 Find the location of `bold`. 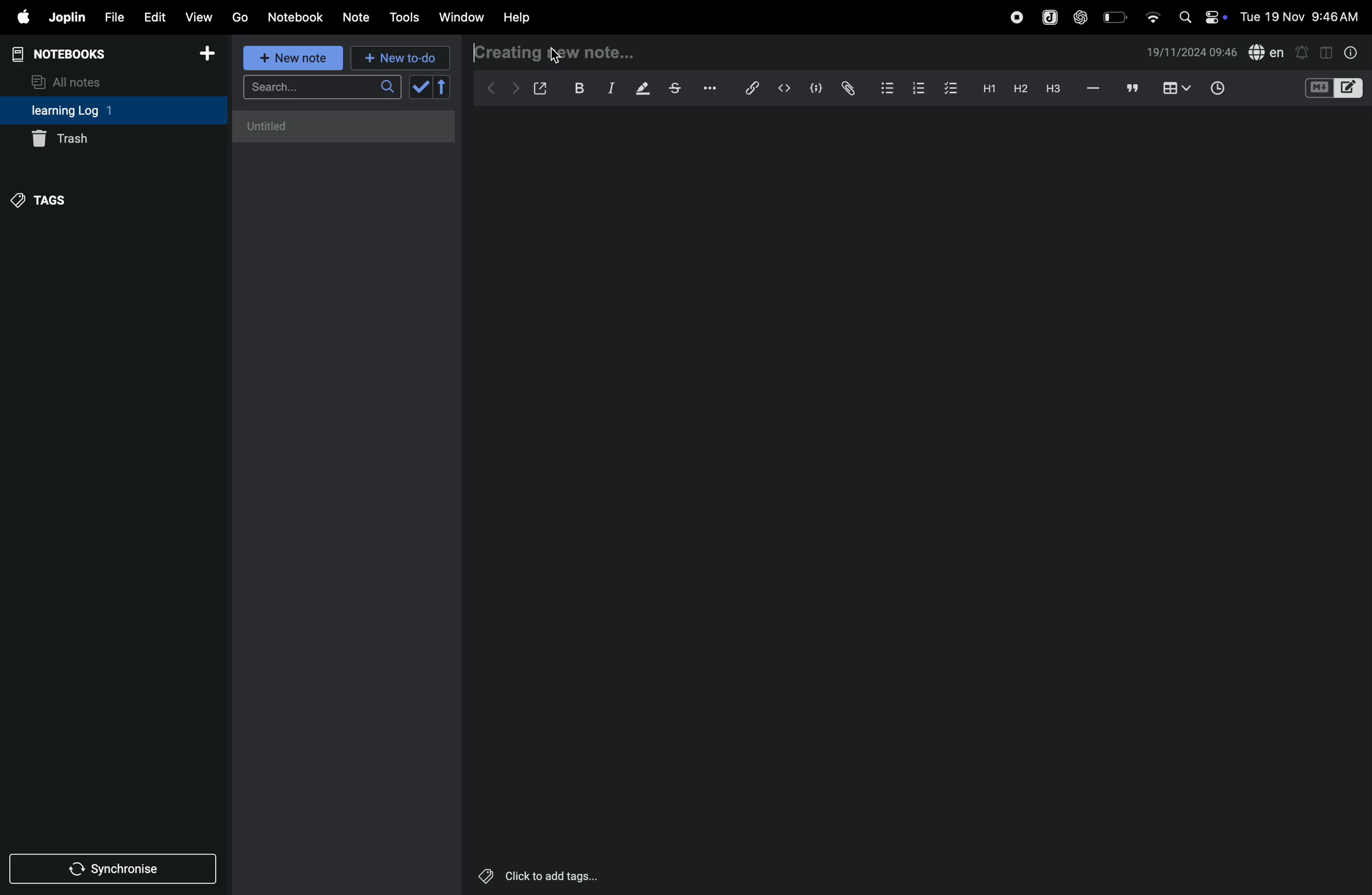

bold is located at coordinates (576, 88).